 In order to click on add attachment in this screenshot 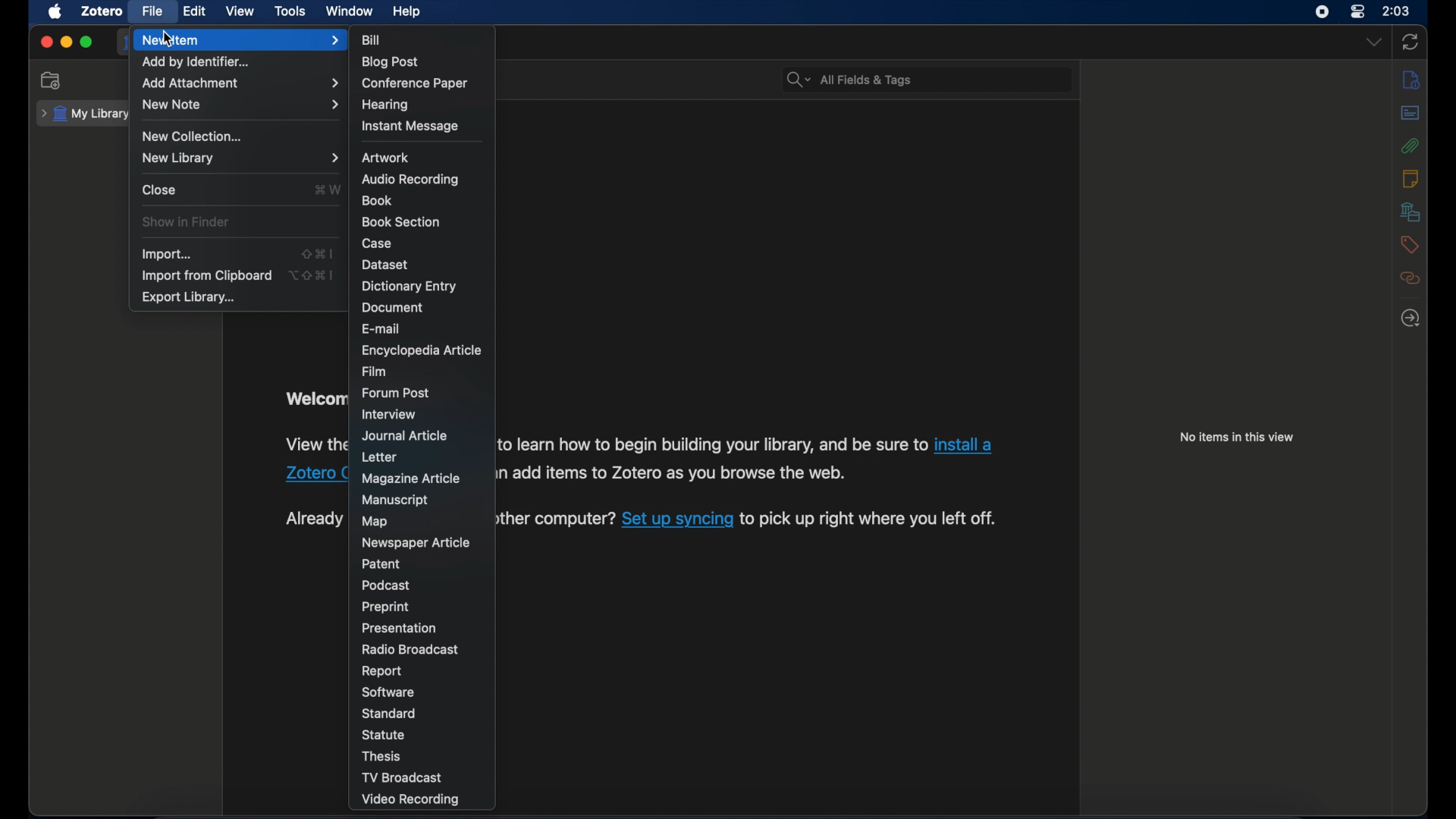, I will do `click(240, 83)`.